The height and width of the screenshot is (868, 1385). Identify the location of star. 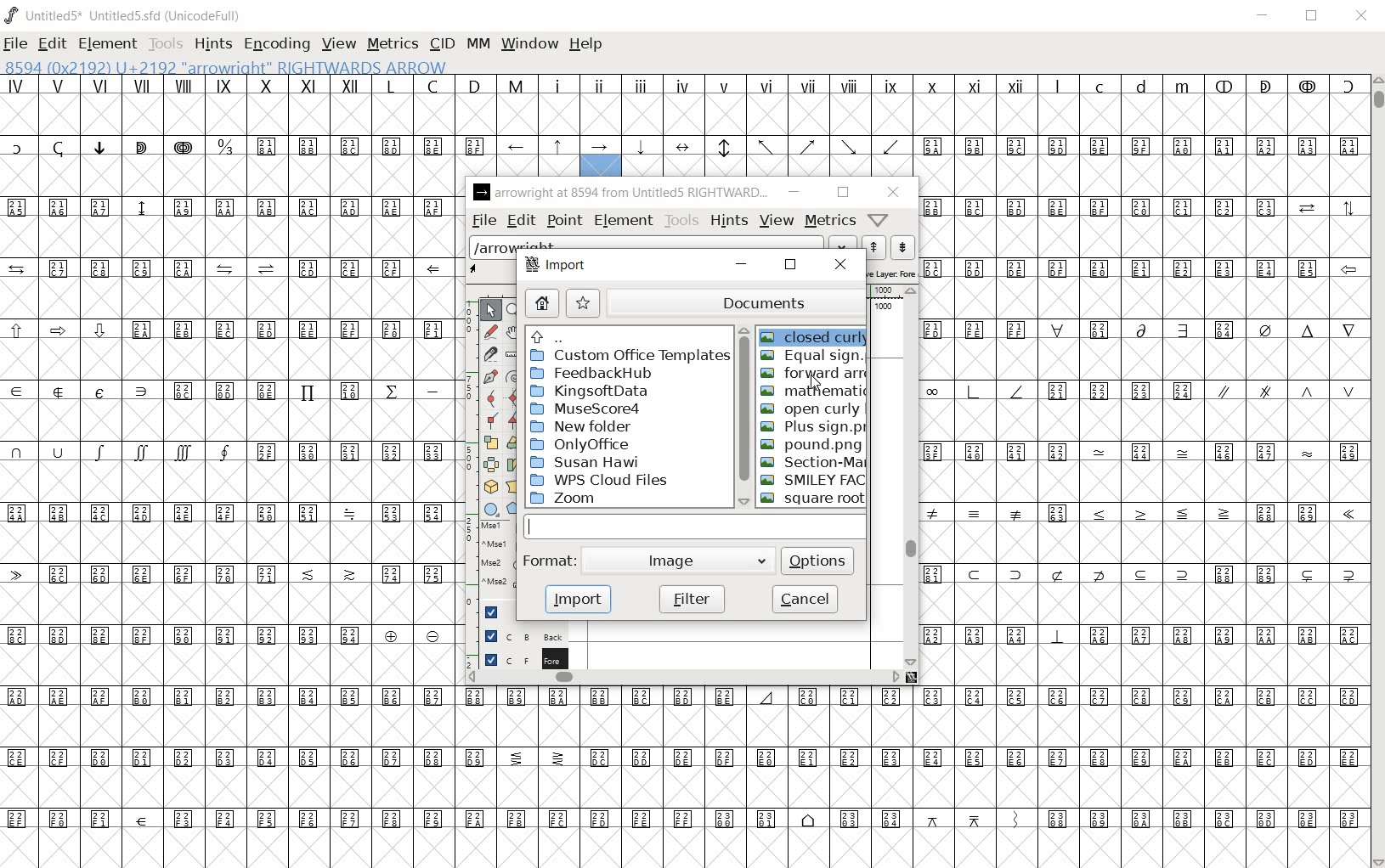
(584, 302).